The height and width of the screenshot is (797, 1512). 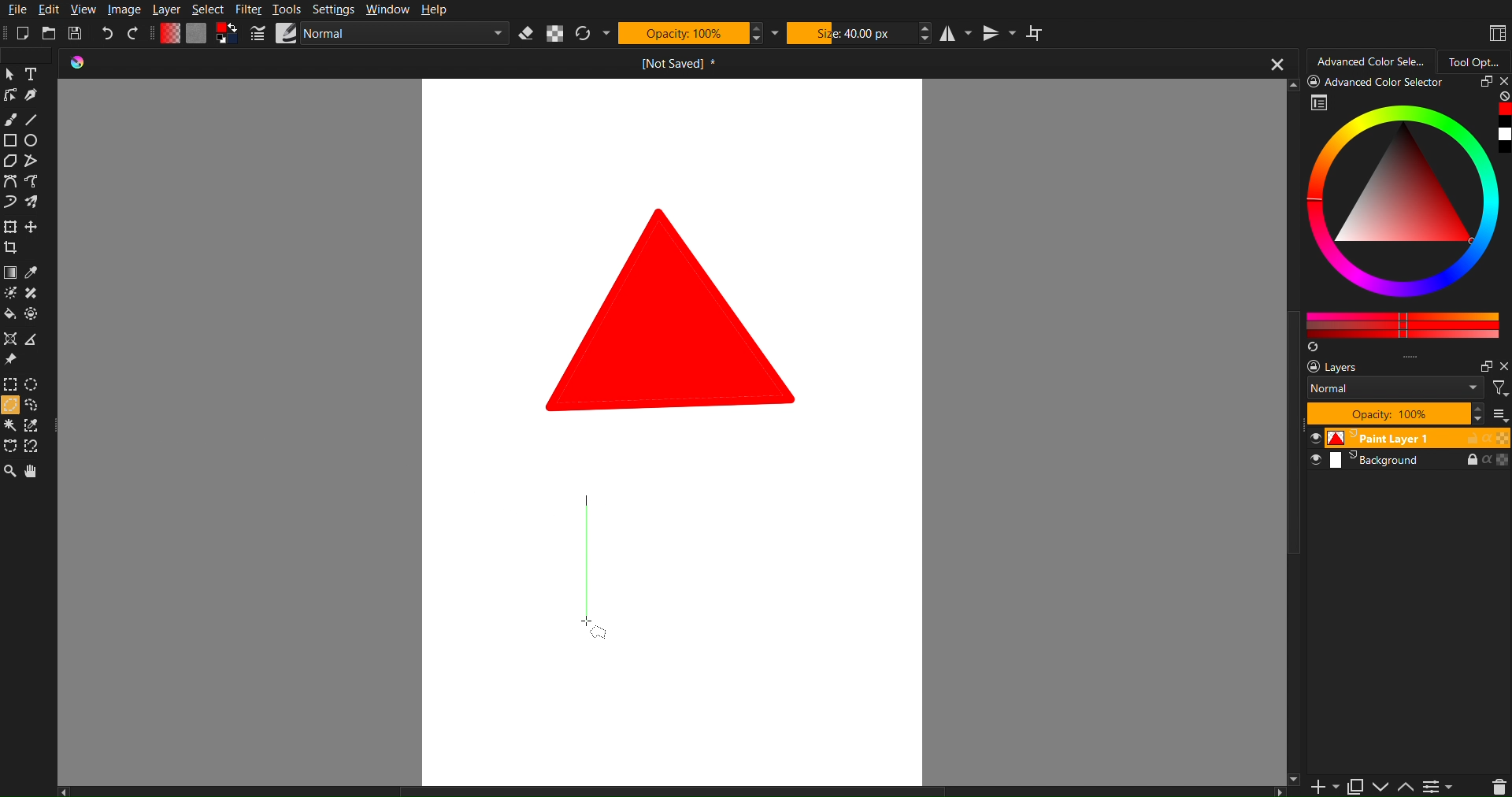 I want to click on Menu, so click(x=1438, y=786).